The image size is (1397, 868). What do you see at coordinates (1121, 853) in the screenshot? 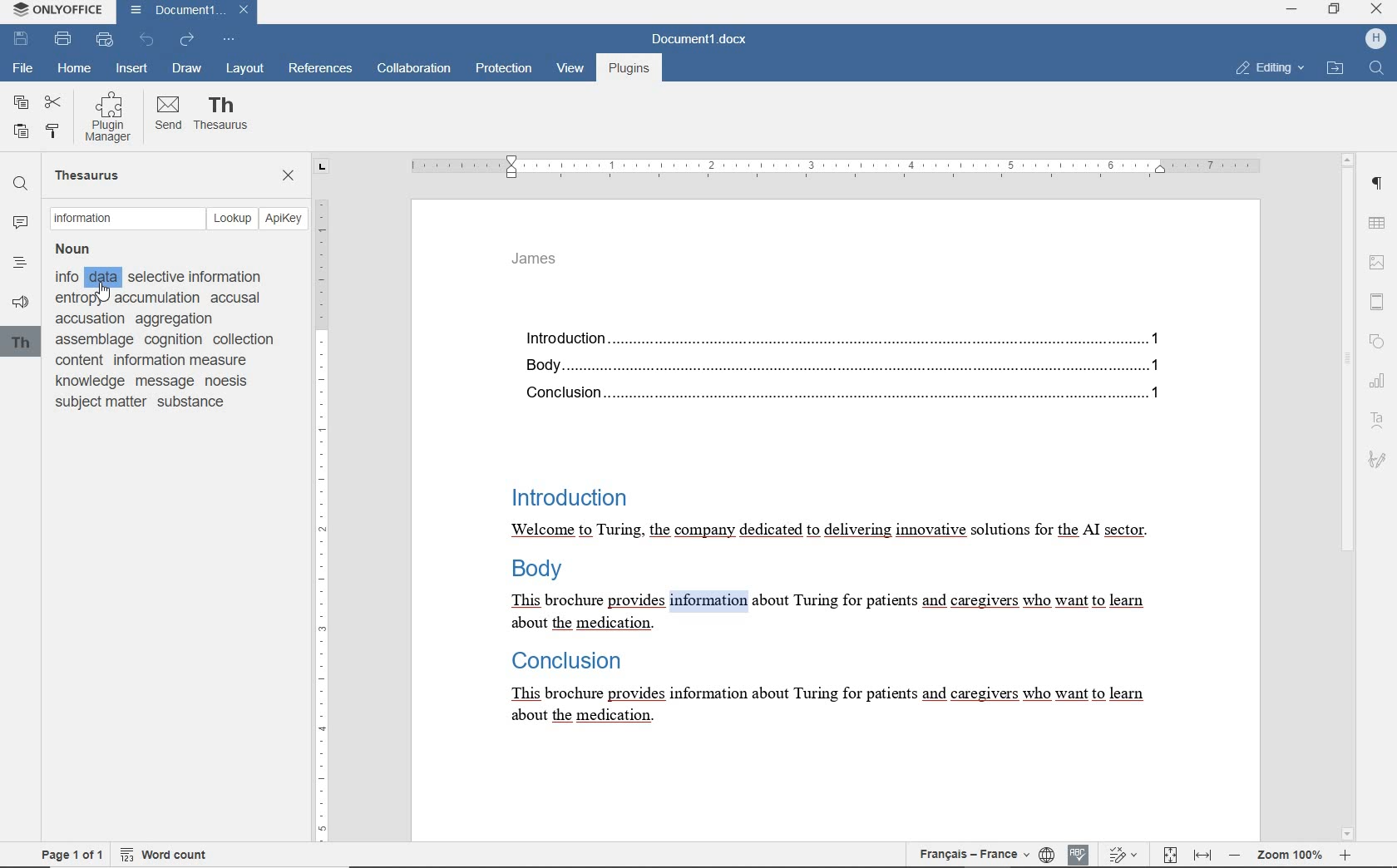
I see `TRACK CHANGES` at bounding box center [1121, 853].